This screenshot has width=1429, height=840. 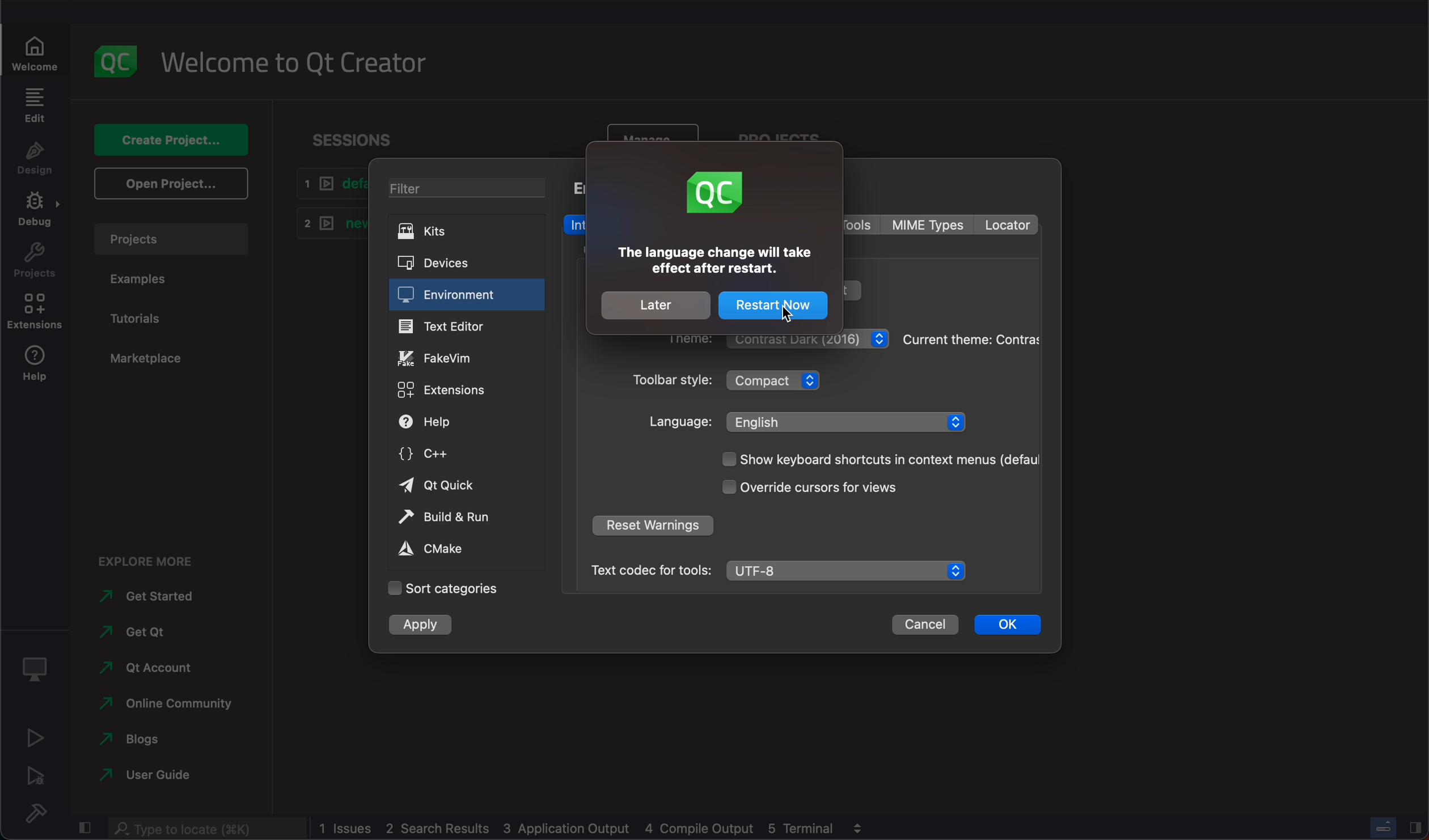 I want to click on UTF-8, so click(x=846, y=569).